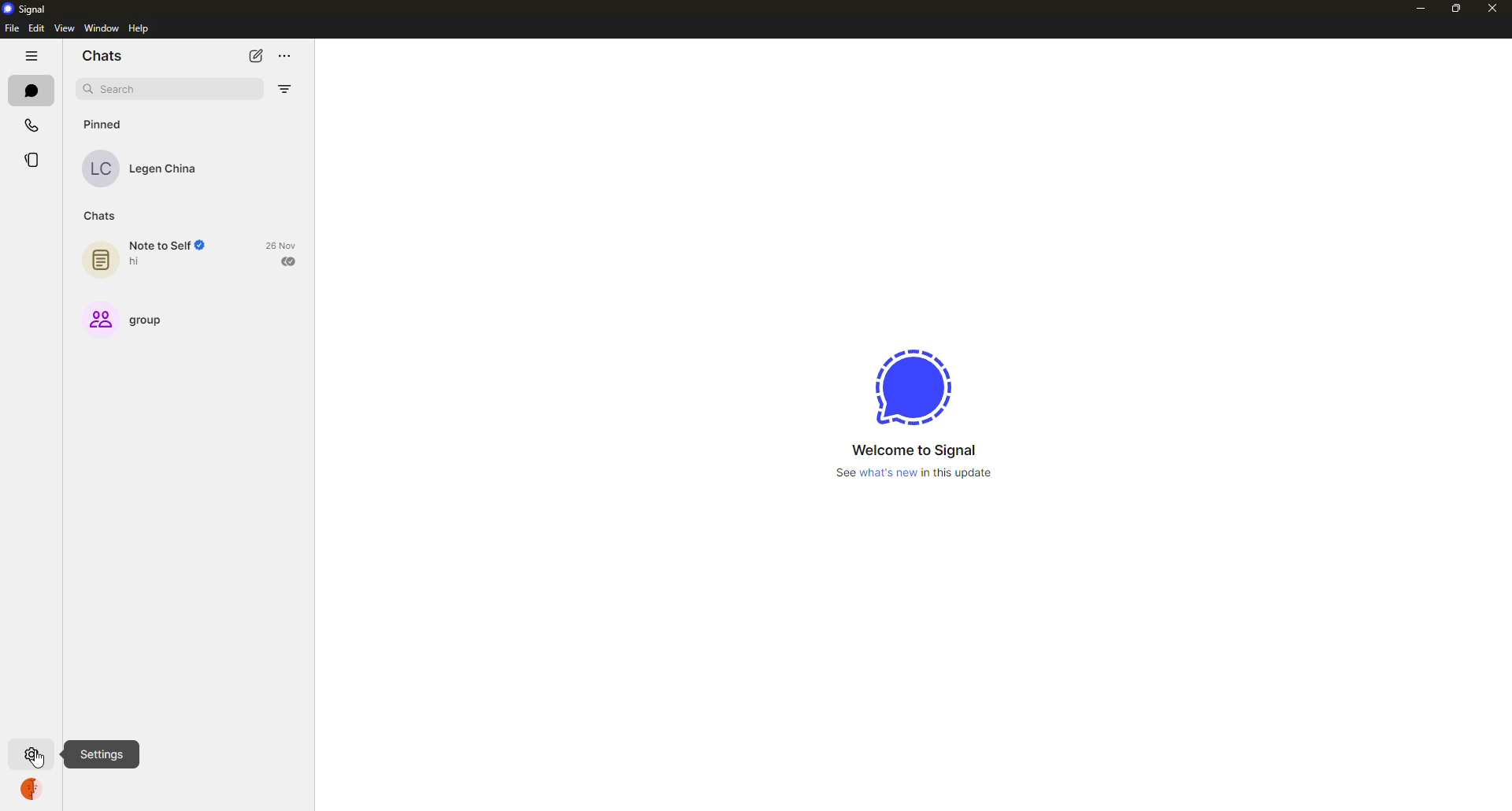 This screenshot has height=811, width=1512. What do you see at coordinates (1492, 7) in the screenshot?
I see `close` at bounding box center [1492, 7].